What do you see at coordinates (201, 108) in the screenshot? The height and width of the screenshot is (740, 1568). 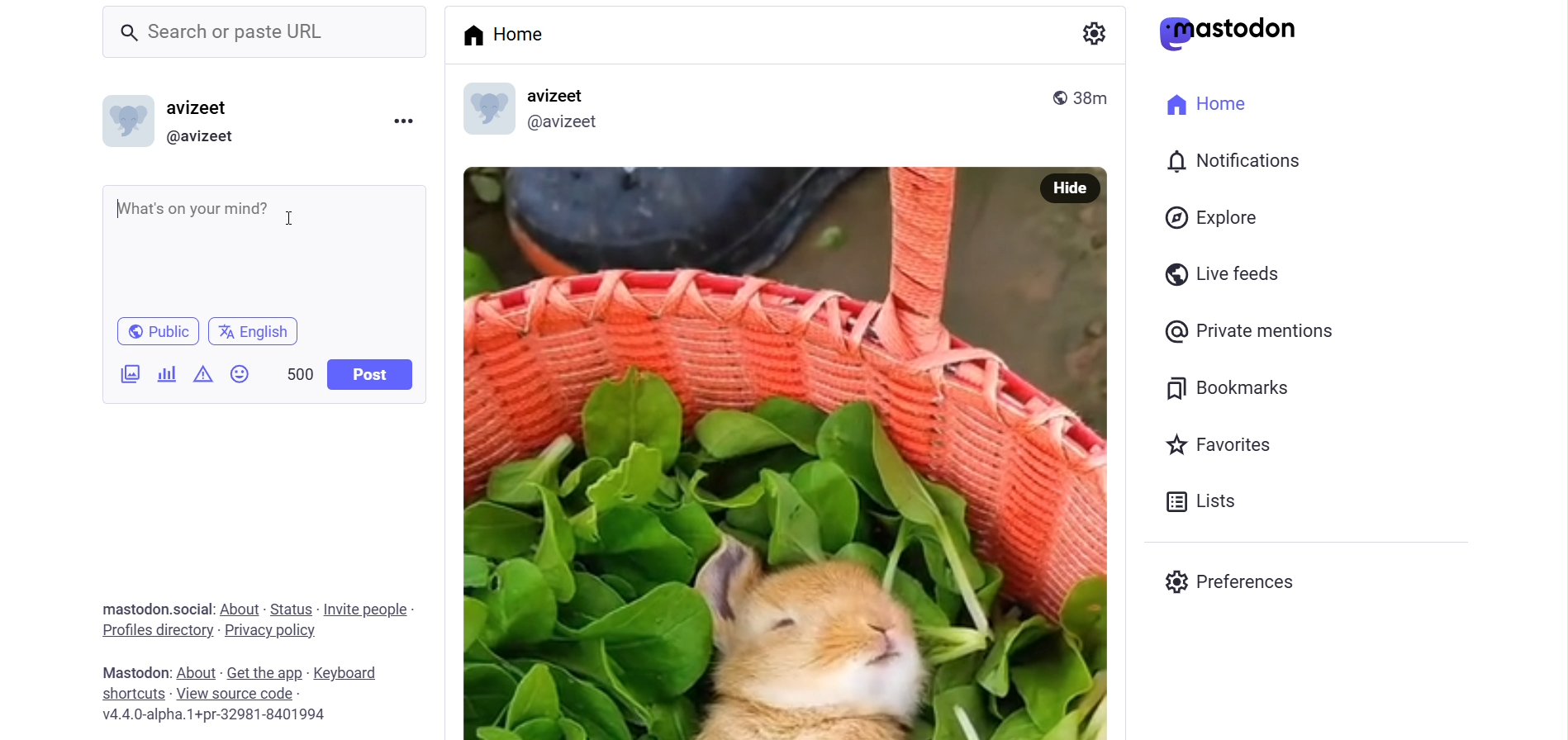 I see `avizeet` at bounding box center [201, 108].